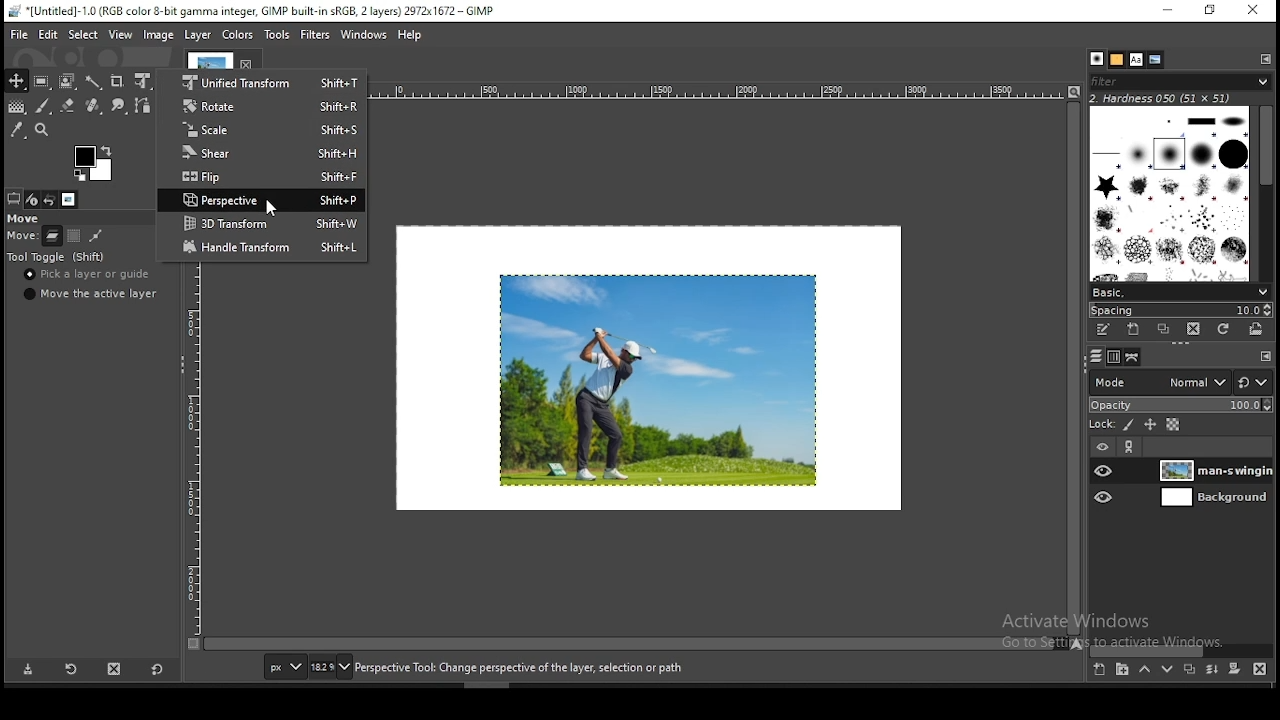 The height and width of the screenshot is (720, 1280). I want to click on layer , so click(1212, 498).